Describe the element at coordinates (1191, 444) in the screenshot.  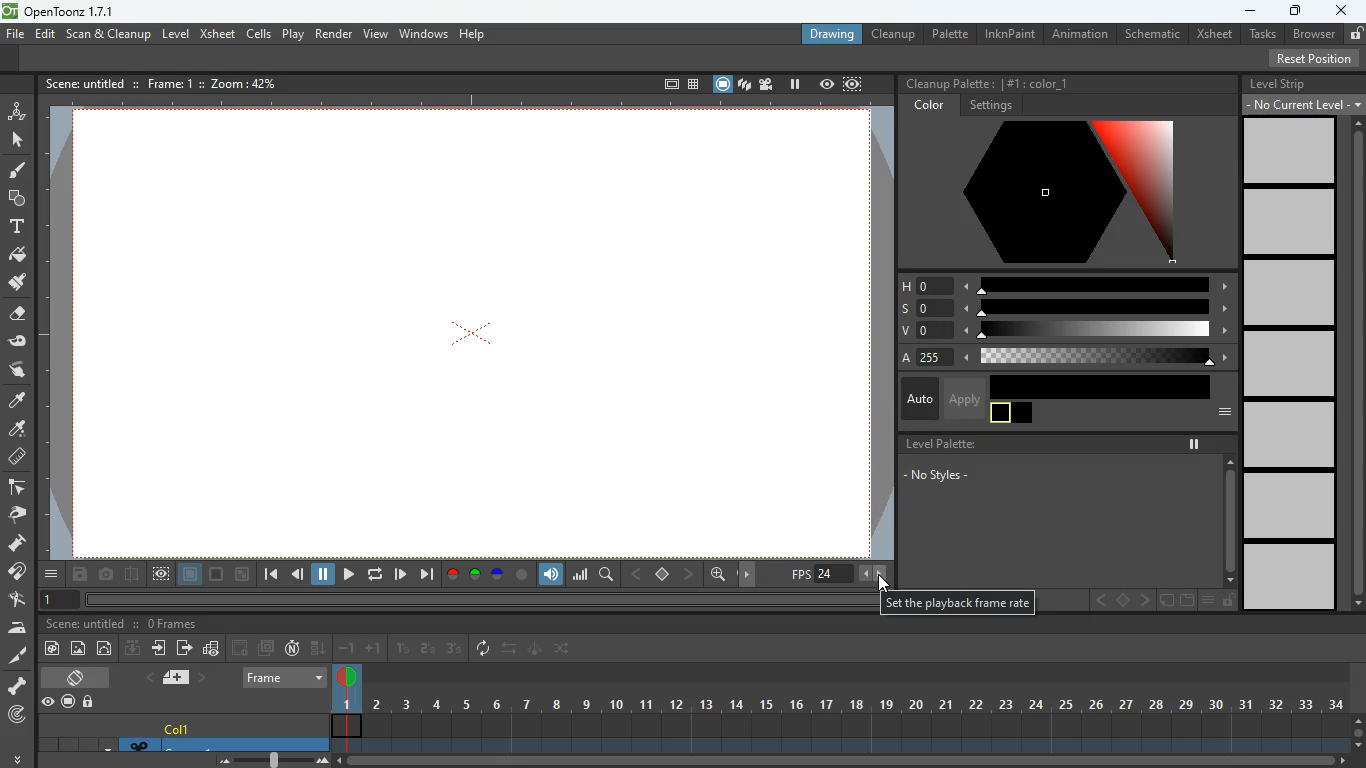
I see `pause` at that location.